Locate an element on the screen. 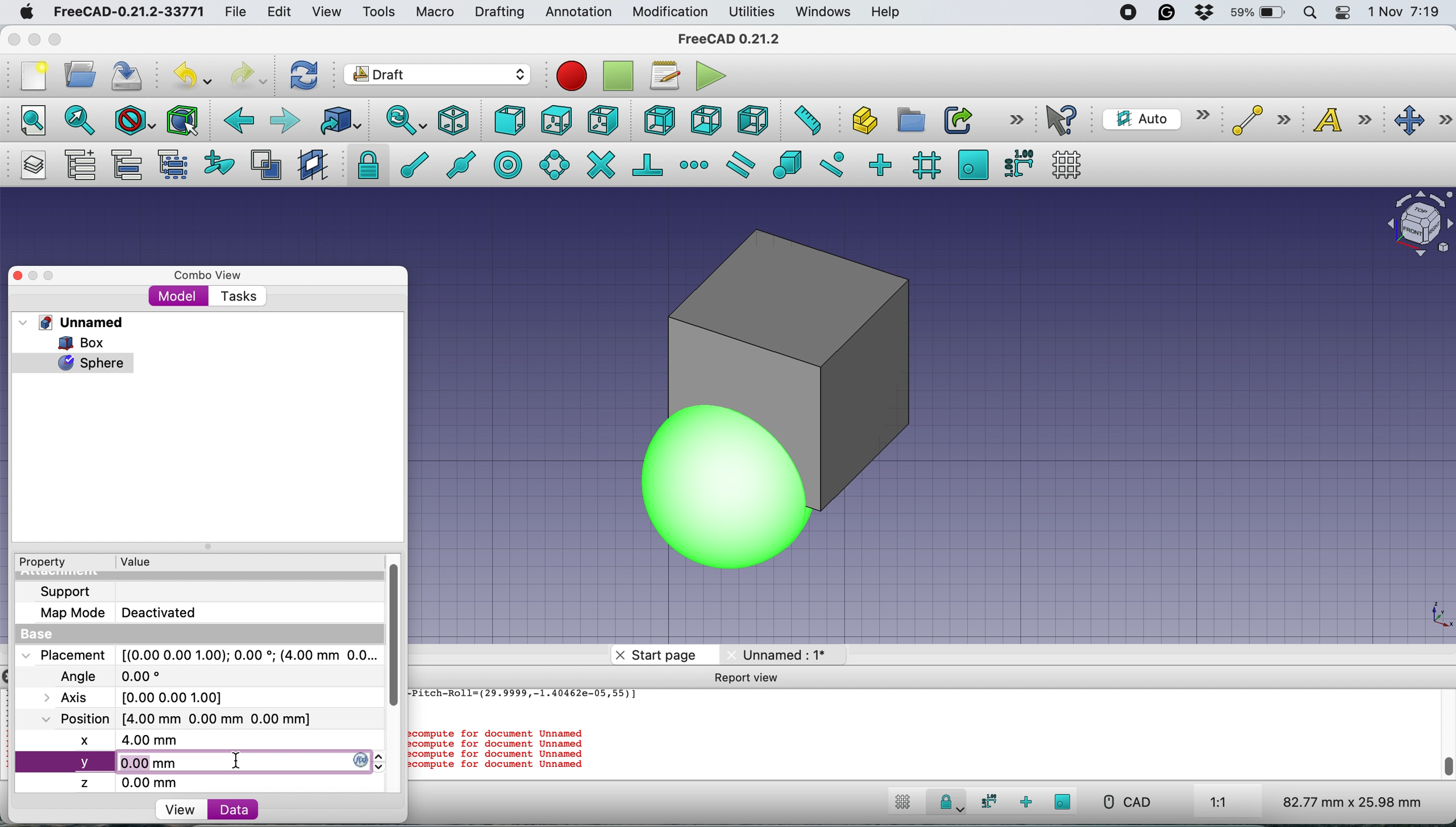  snap parallel is located at coordinates (738, 165).